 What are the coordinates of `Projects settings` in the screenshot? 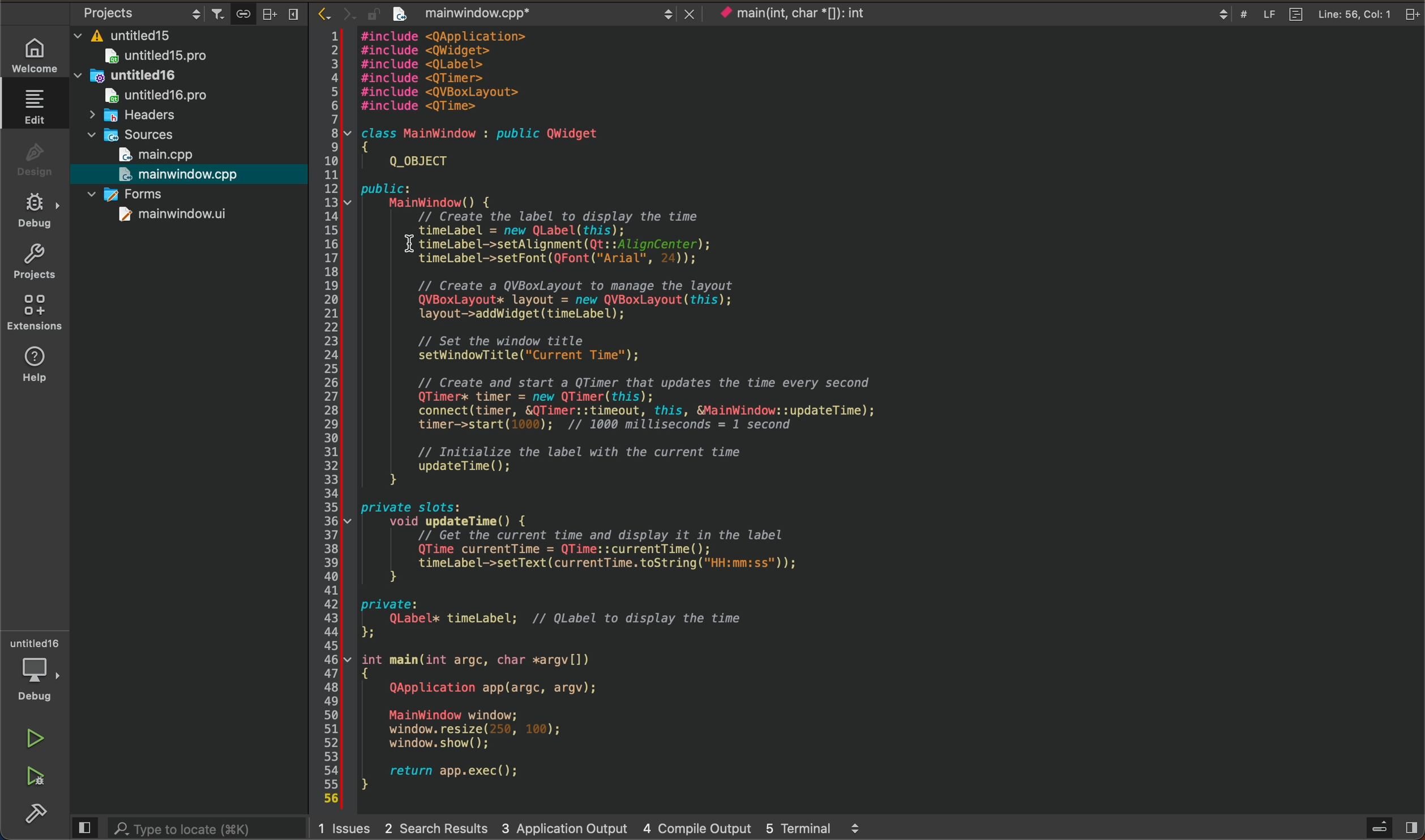 It's located at (131, 12).